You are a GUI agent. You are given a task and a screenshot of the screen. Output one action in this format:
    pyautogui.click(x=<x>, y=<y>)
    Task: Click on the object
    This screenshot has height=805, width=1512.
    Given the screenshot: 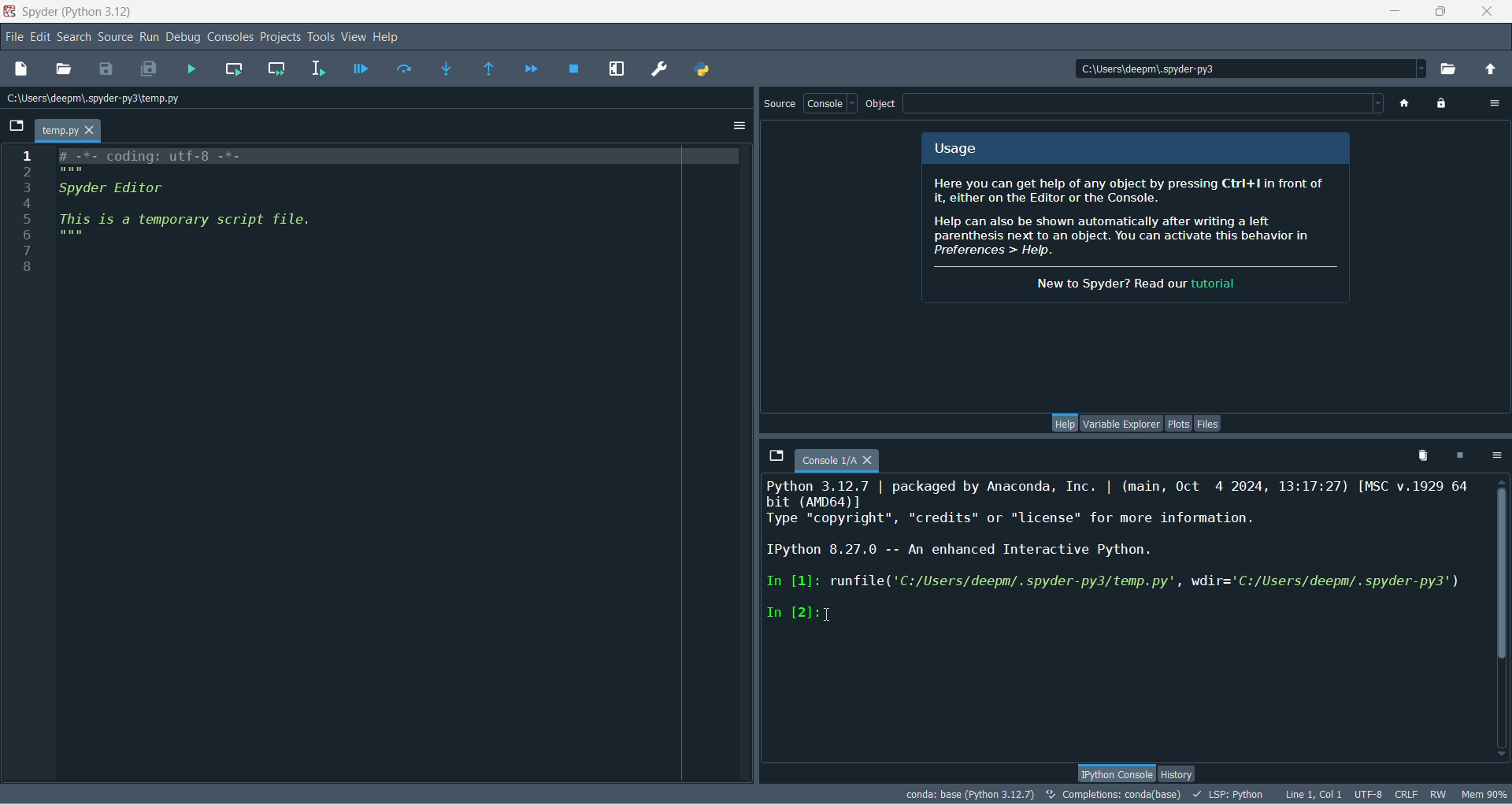 What is the action you would take?
    pyautogui.click(x=883, y=105)
    